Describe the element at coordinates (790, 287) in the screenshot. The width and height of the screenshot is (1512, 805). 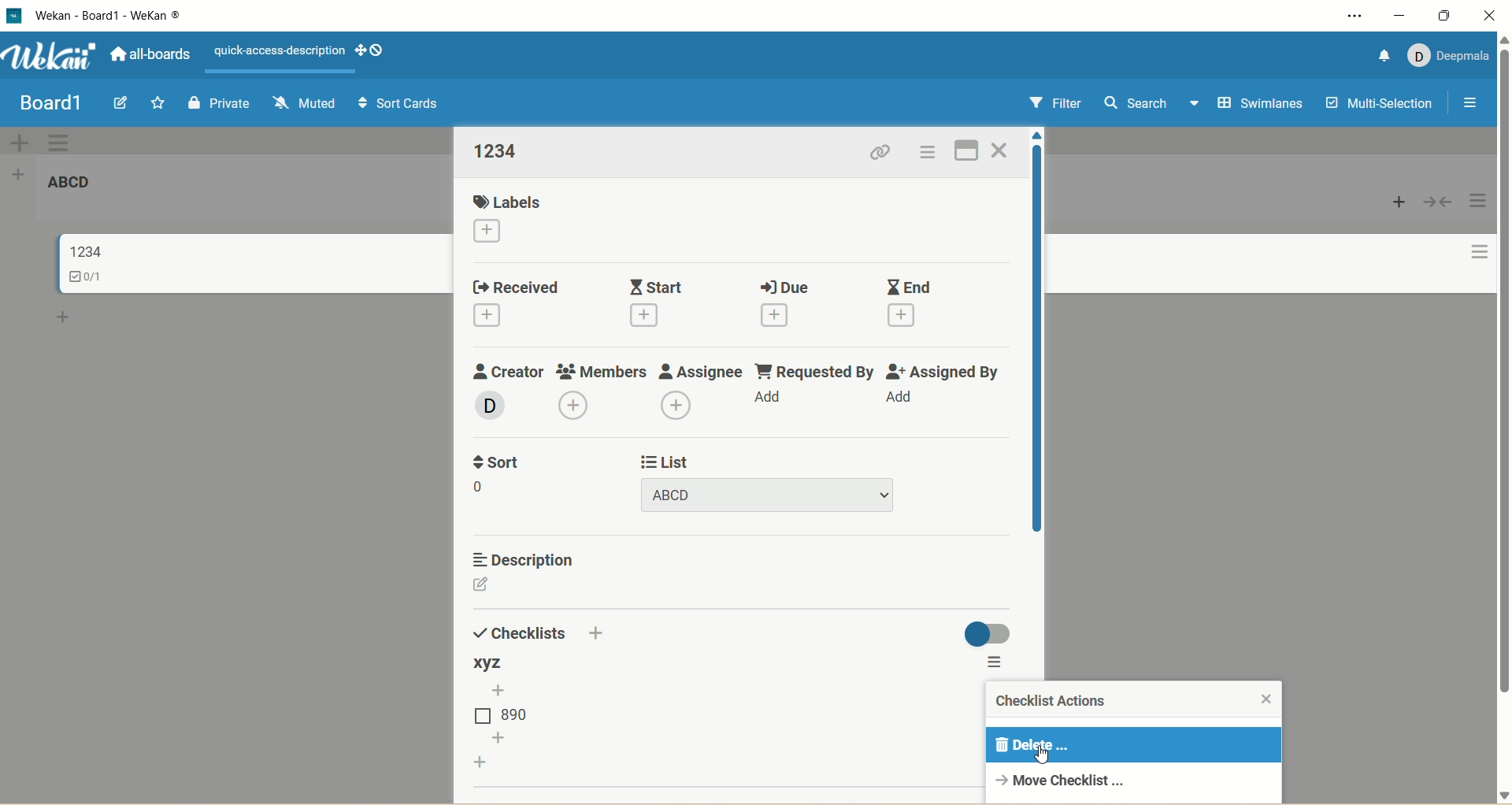
I see `due` at that location.